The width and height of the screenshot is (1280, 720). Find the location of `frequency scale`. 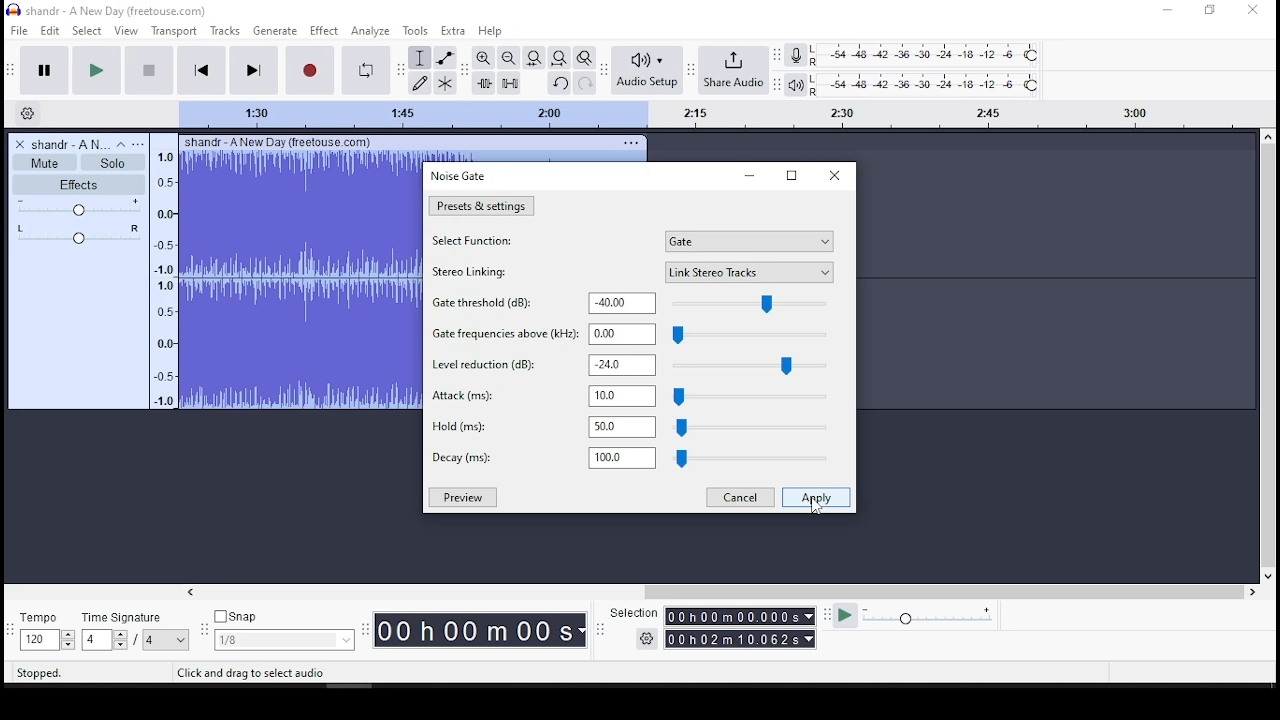

frequency scale is located at coordinates (163, 282).